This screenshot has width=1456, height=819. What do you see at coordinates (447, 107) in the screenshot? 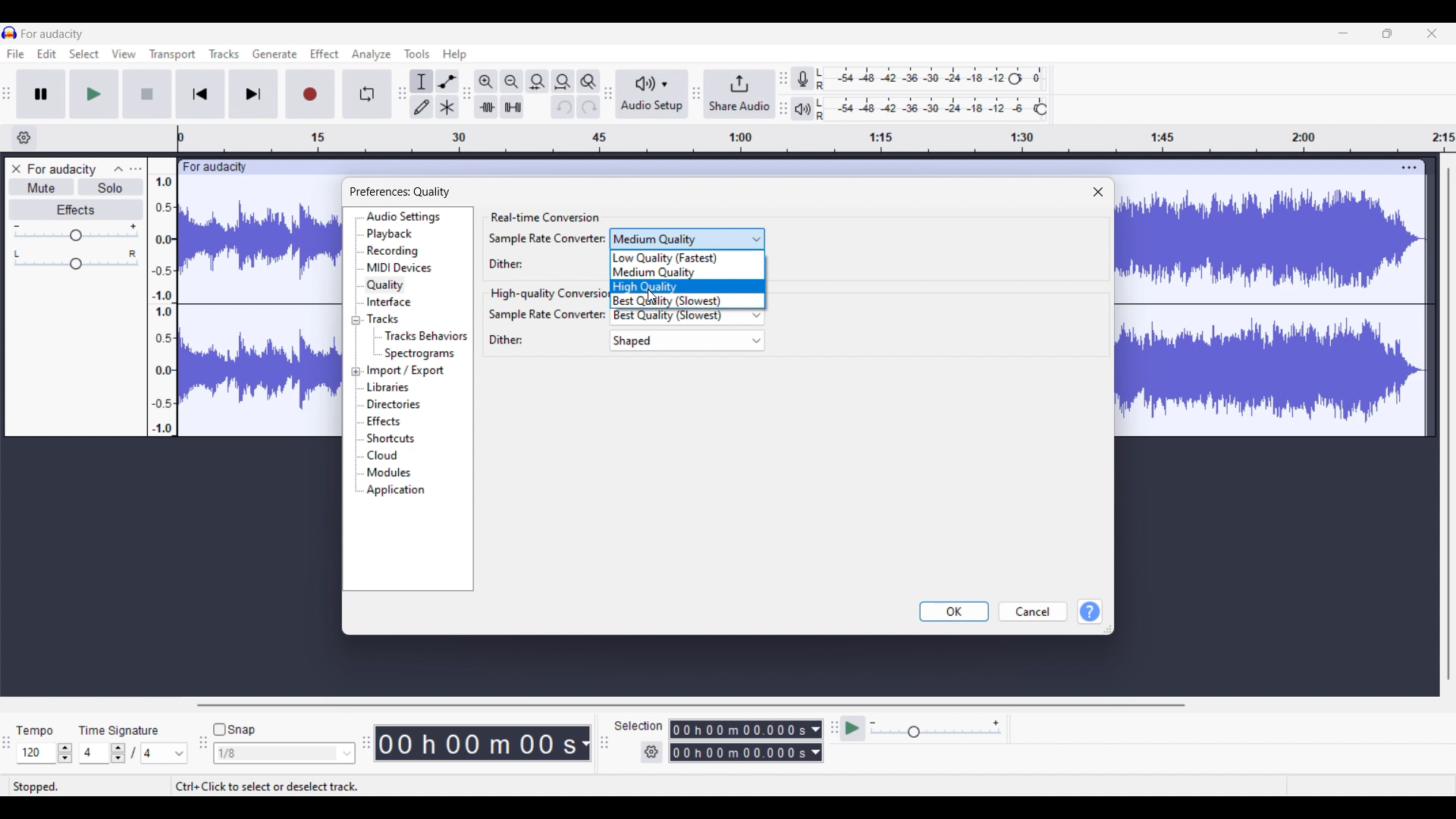
I see `Multi-tool` at bounding box center [447, 107].